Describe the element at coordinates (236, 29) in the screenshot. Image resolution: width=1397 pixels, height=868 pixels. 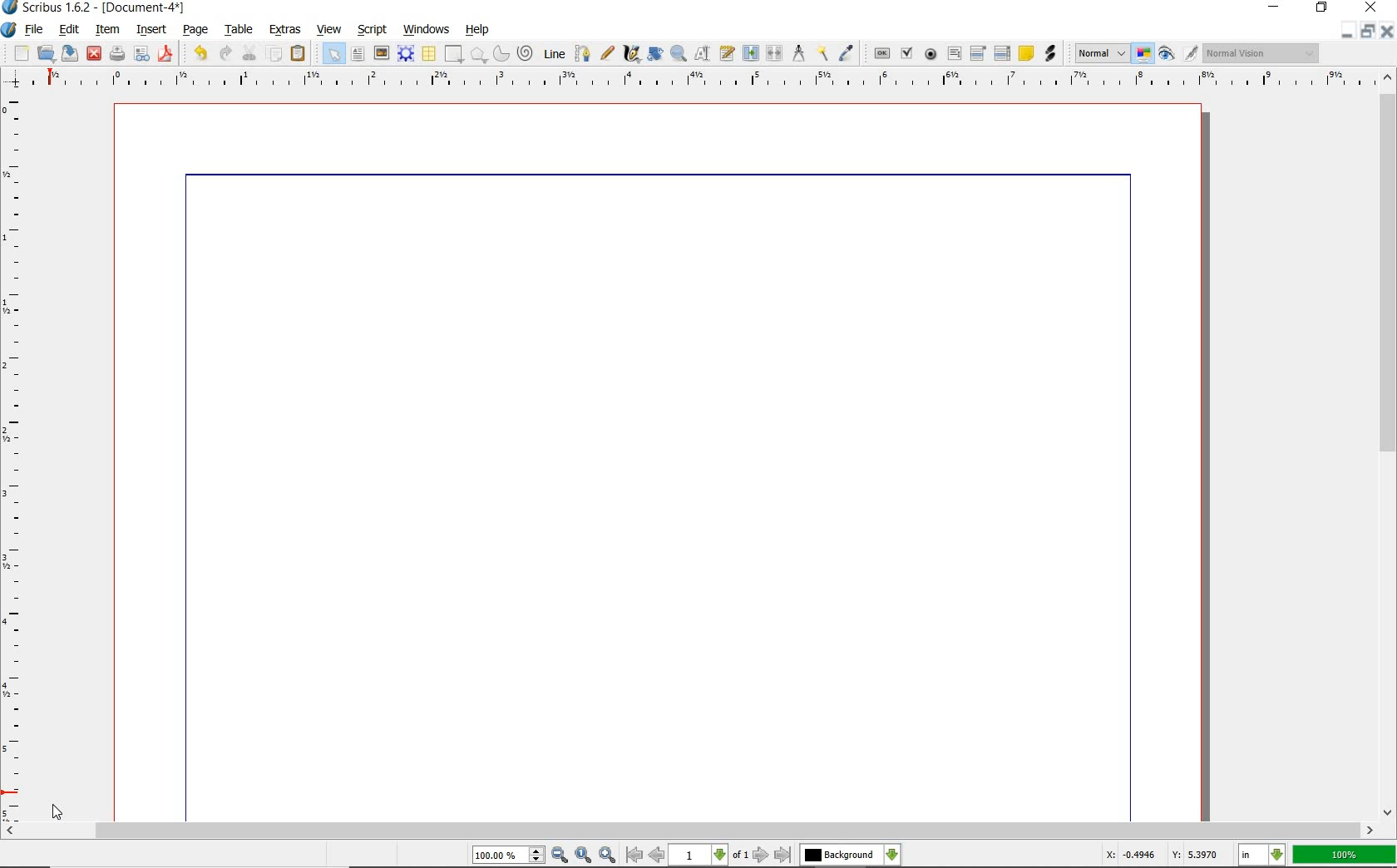
I see `table` at that location.